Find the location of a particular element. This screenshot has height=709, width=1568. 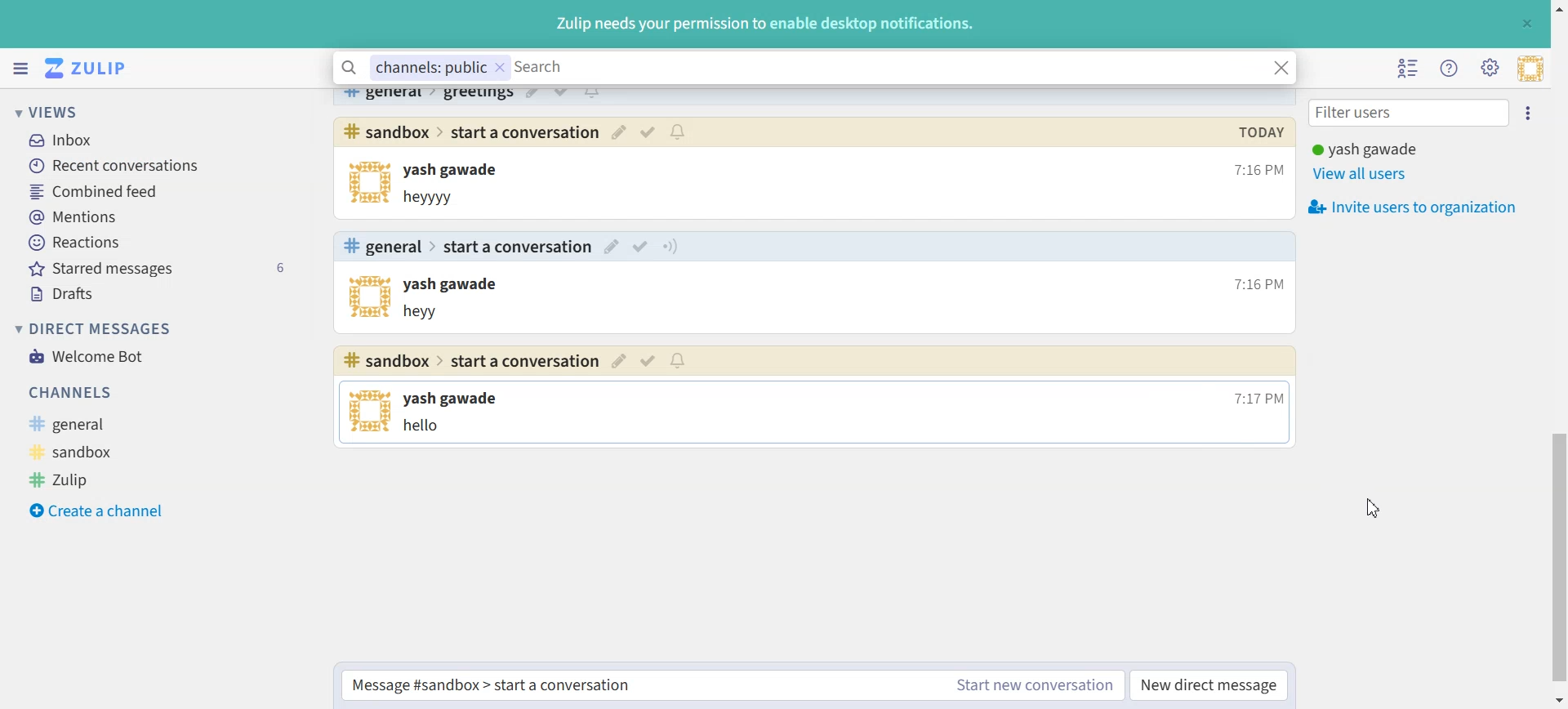

general is located at coordinates (382, 247).